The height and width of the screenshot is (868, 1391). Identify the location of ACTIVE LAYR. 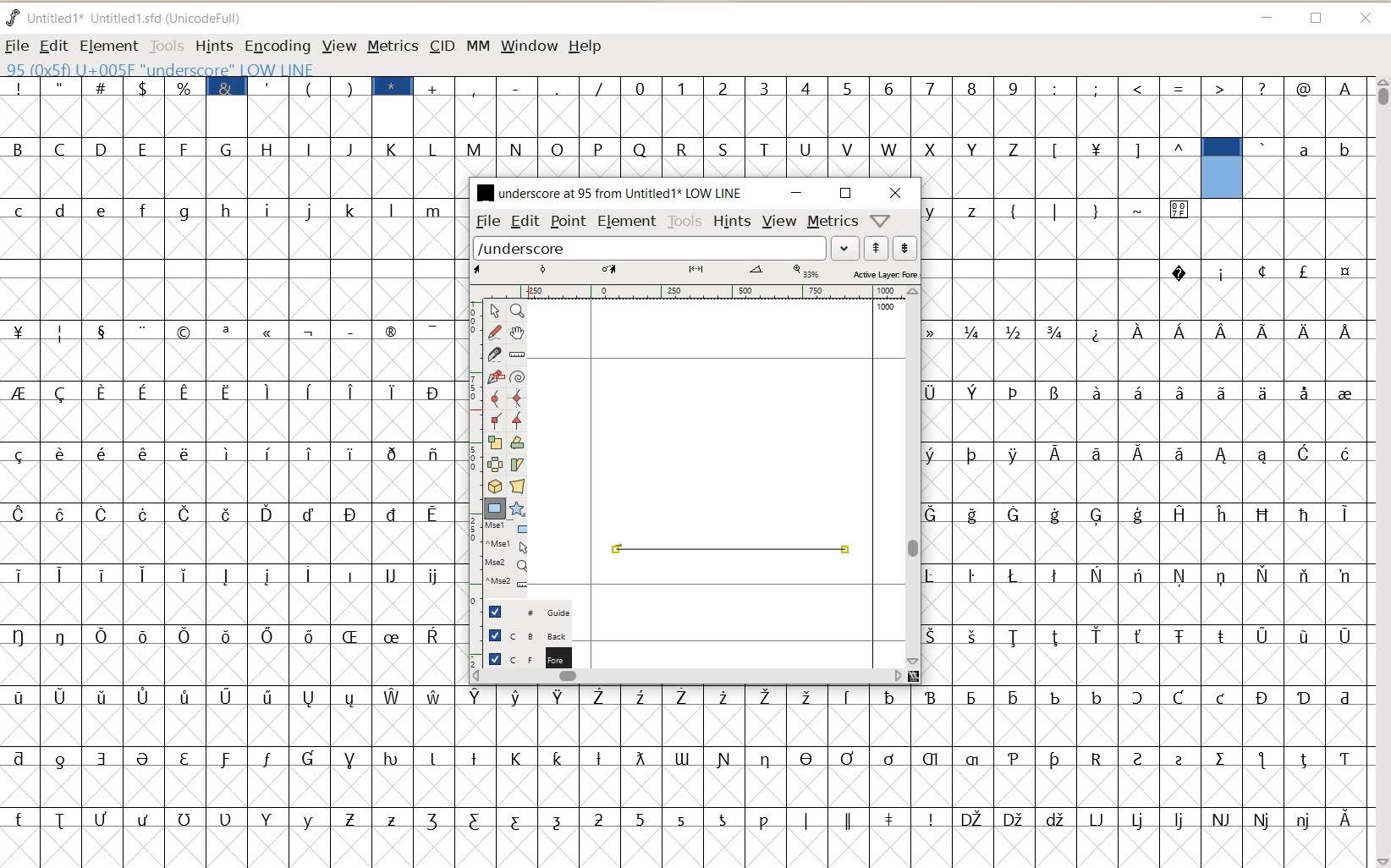
(695, 272).